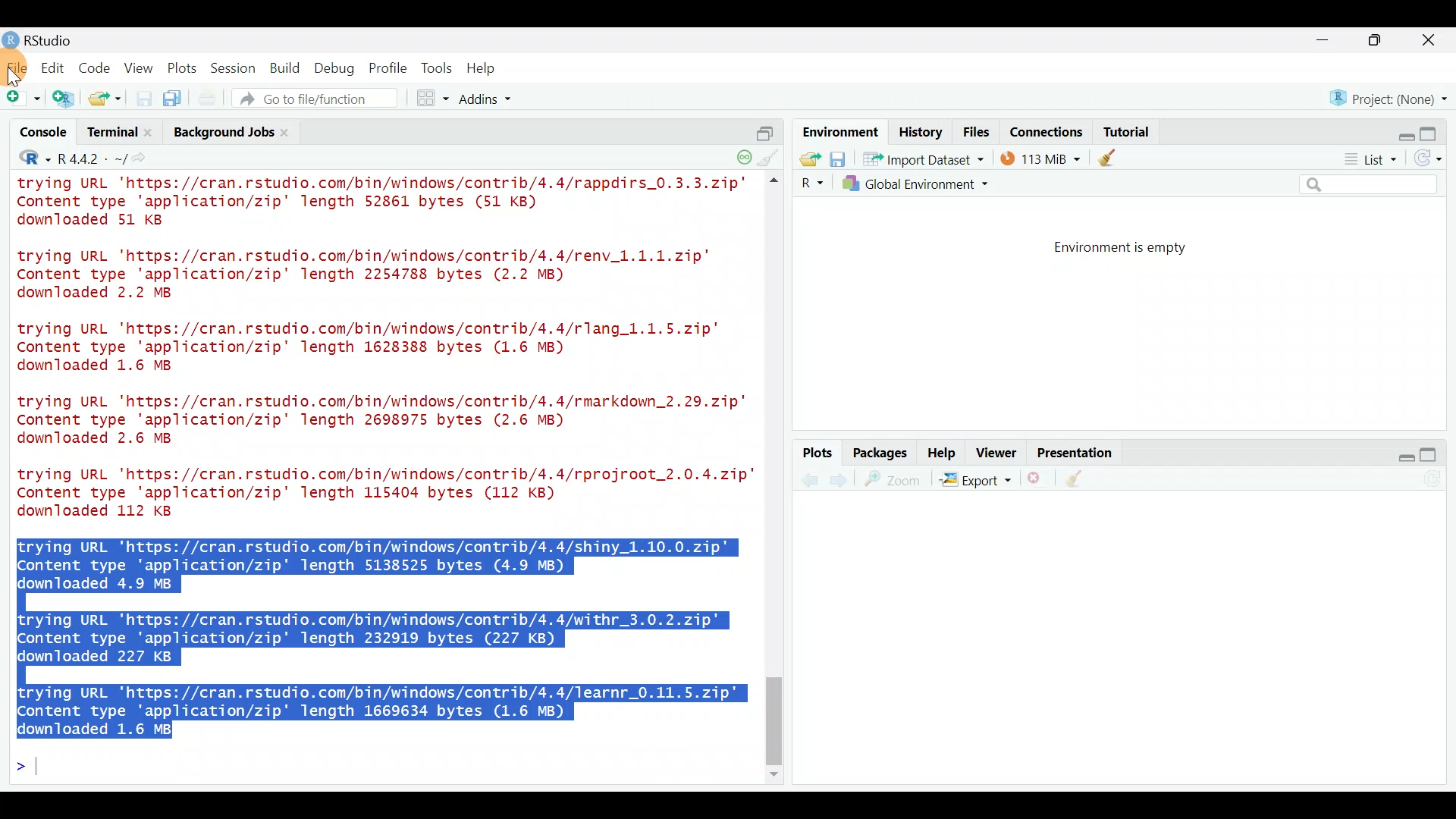 This screenshot has height=819, width=1456. Describe the element at coordinates (838, 159) in the screenshot. I see `save workspace as` at that location.